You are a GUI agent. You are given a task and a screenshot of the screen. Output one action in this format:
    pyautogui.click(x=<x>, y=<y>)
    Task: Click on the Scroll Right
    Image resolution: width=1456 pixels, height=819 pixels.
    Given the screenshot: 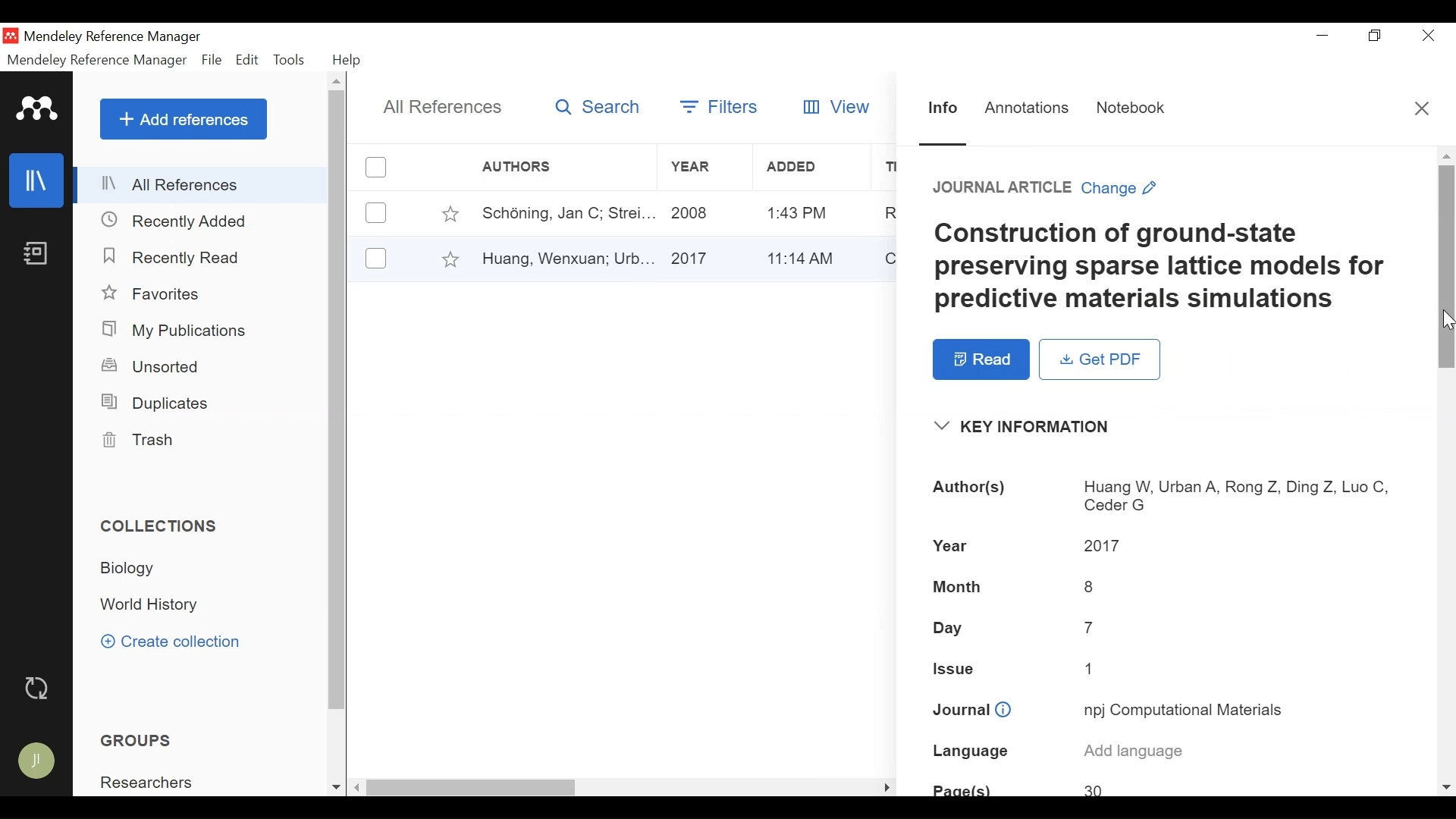 What is the action you would take?
    pyautogui.click(x=887, y=787)
    